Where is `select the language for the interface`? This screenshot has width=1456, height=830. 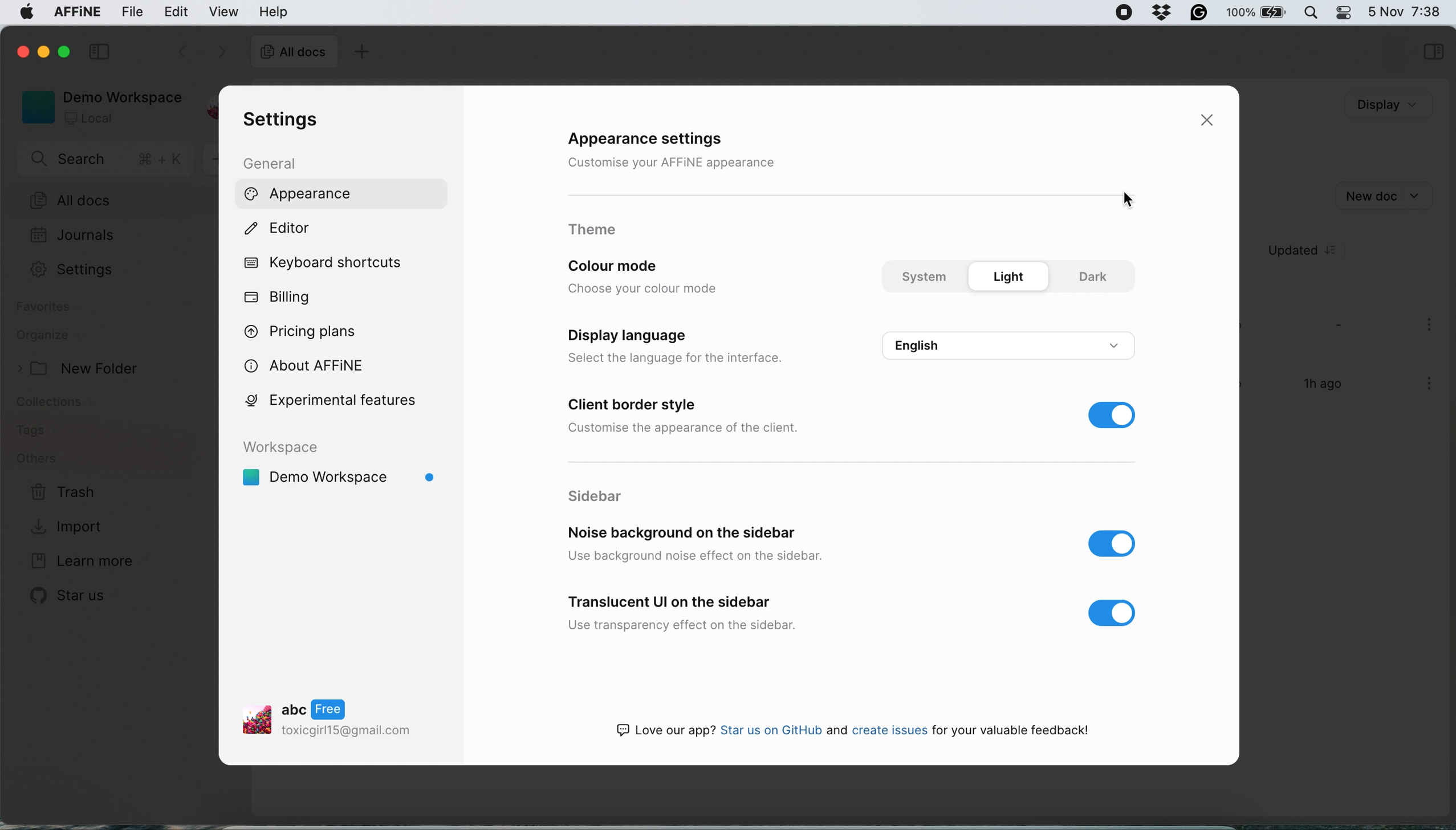
select the language for the interface is located at coordinates (684, 356).